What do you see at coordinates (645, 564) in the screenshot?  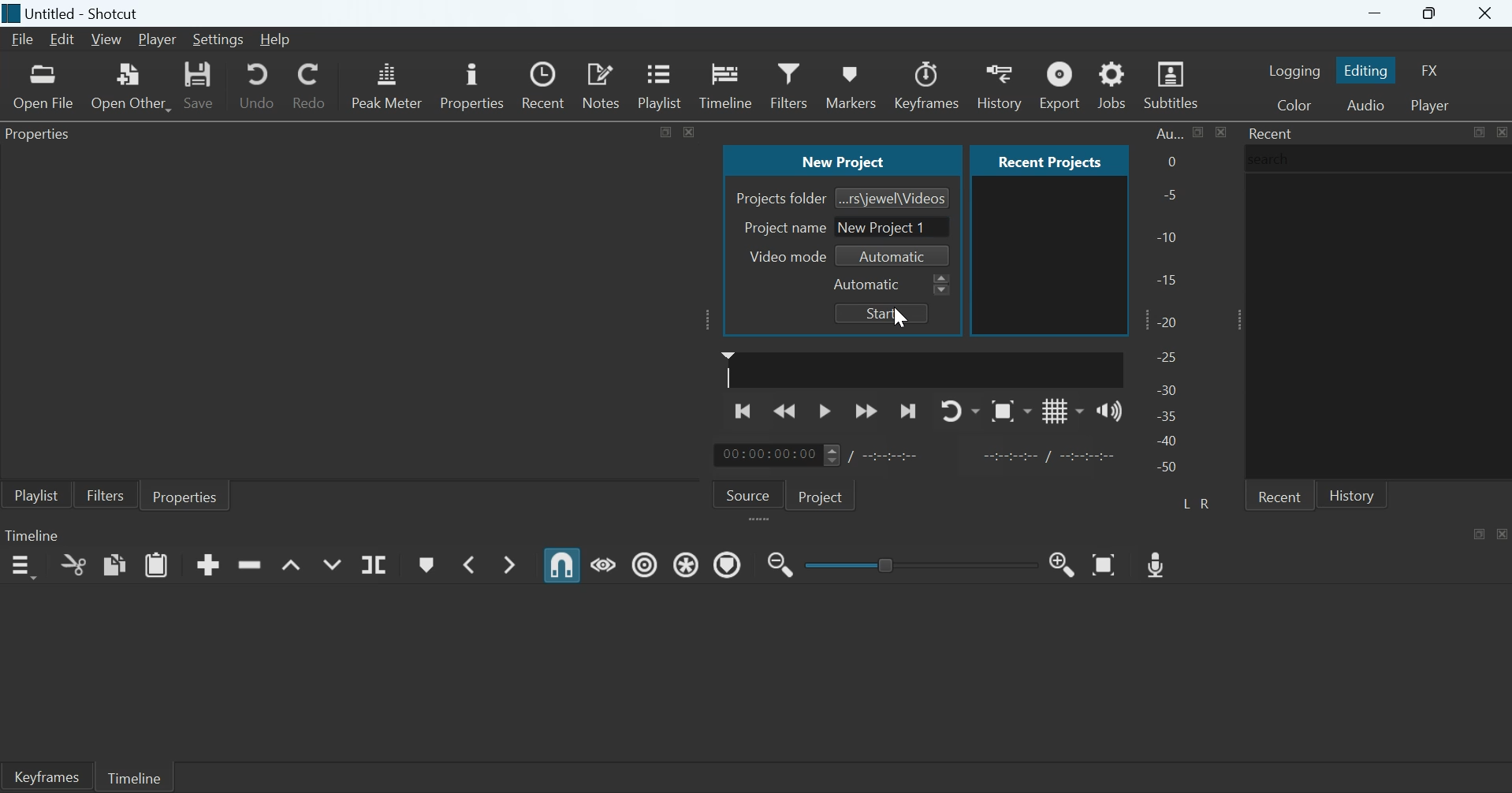 I see `Ripple` at bounding box center [645, 564].